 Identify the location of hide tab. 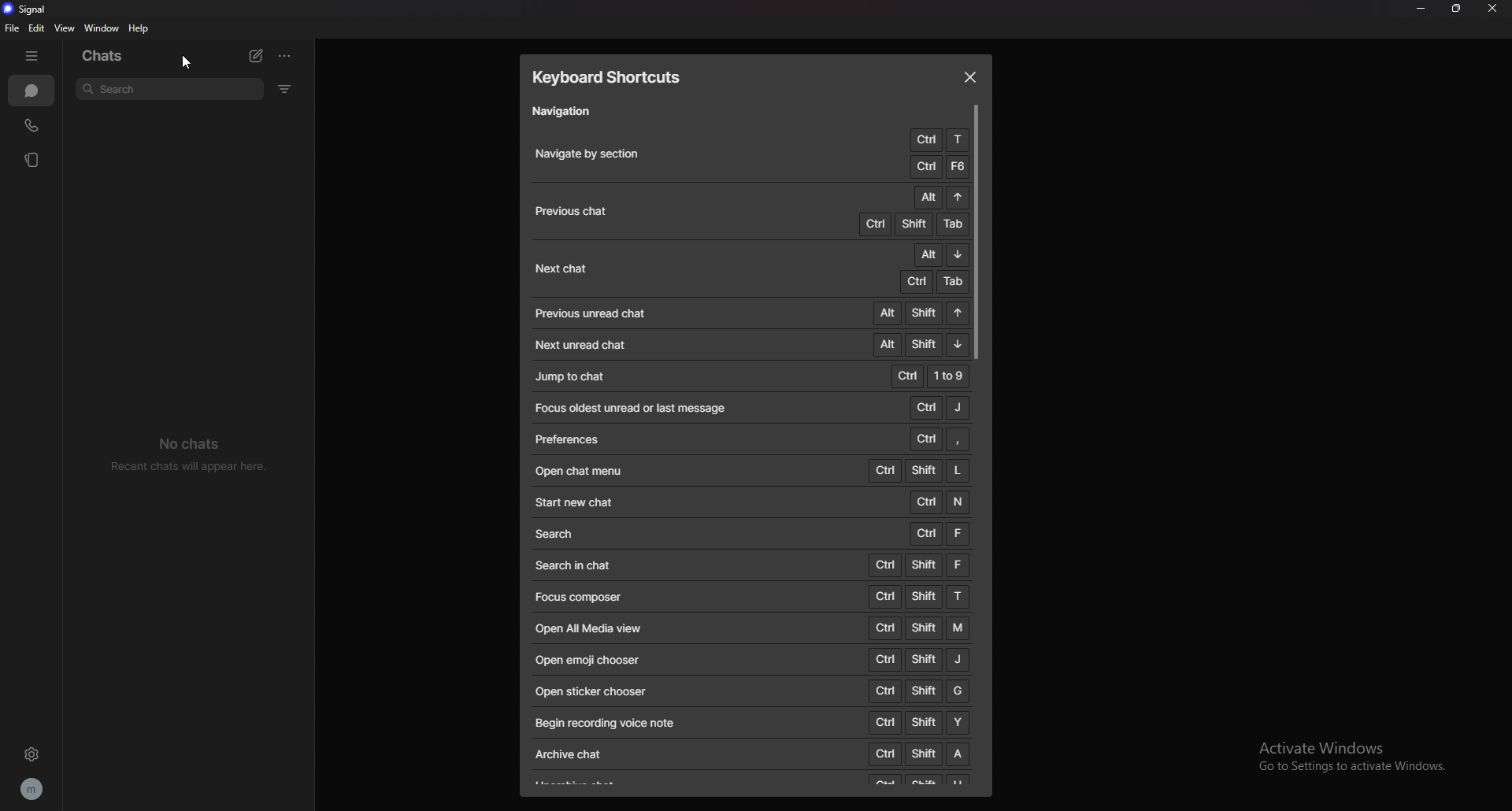
(31, 57).